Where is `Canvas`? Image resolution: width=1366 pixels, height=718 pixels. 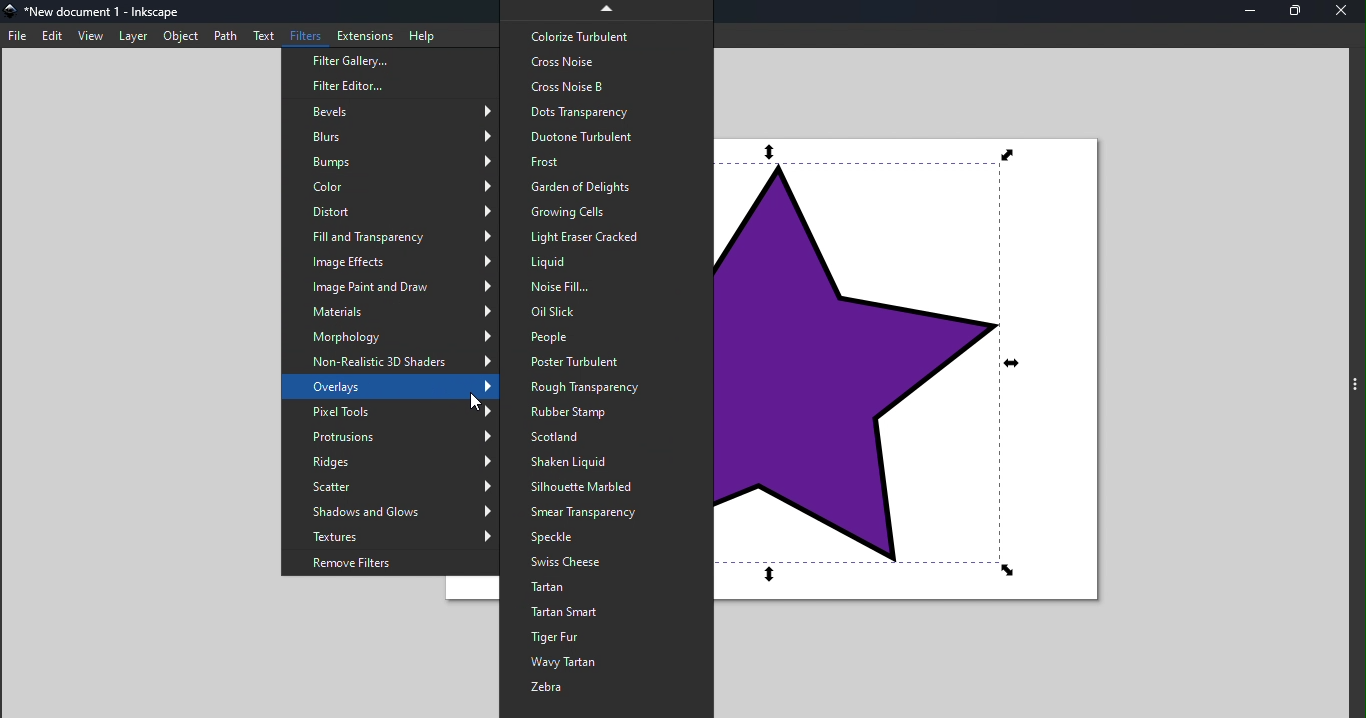 Canvas is located at coordinates (920, 372).